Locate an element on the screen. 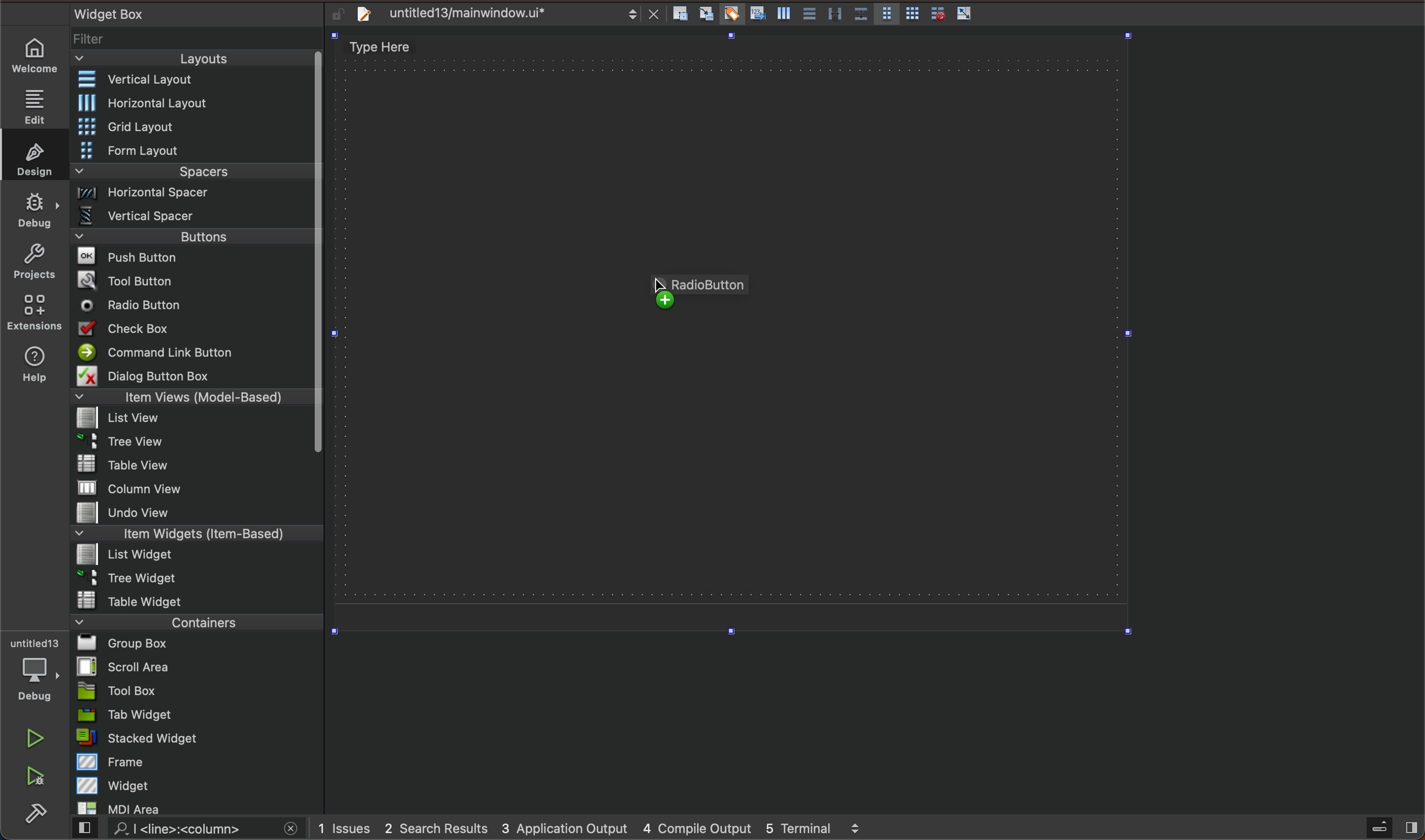 The width and height of the screenshot is (1425, 840). tree widget is located at coordinates (198, 579).